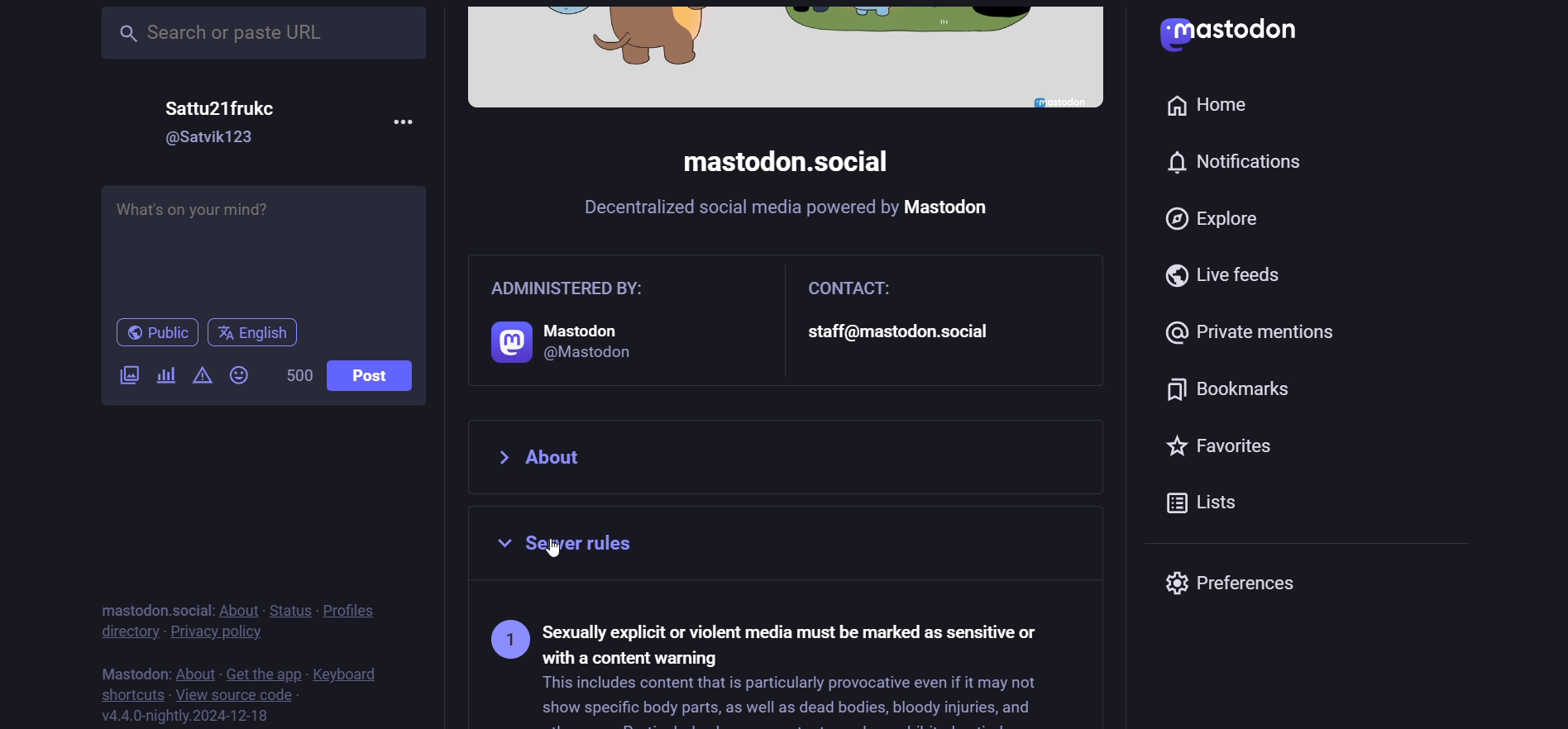  I want to click on instruction, so click(802, 213).